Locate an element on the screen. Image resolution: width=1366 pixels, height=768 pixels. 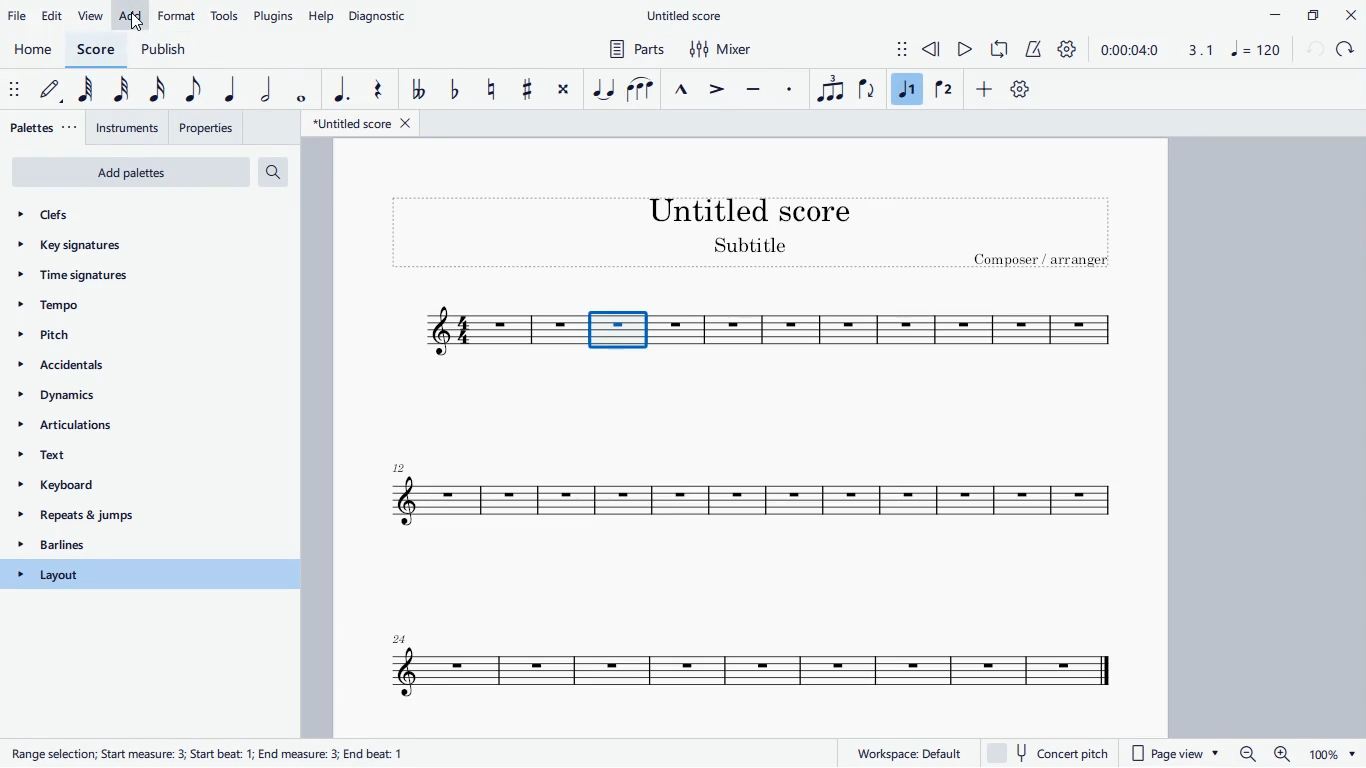
score subtitle is located at coordinates (754, 247).